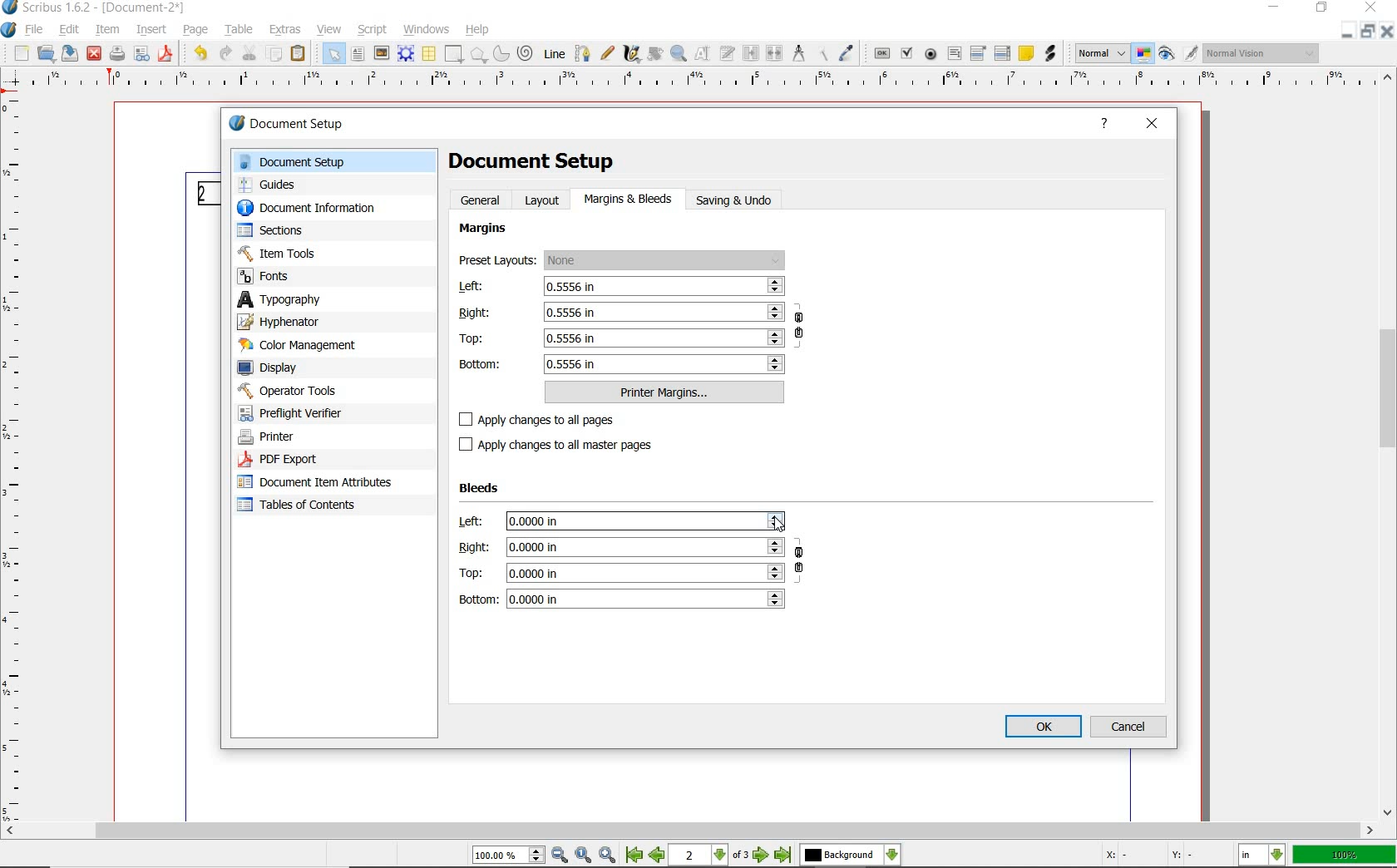  I want to click on rotate item, so click(654, 53).